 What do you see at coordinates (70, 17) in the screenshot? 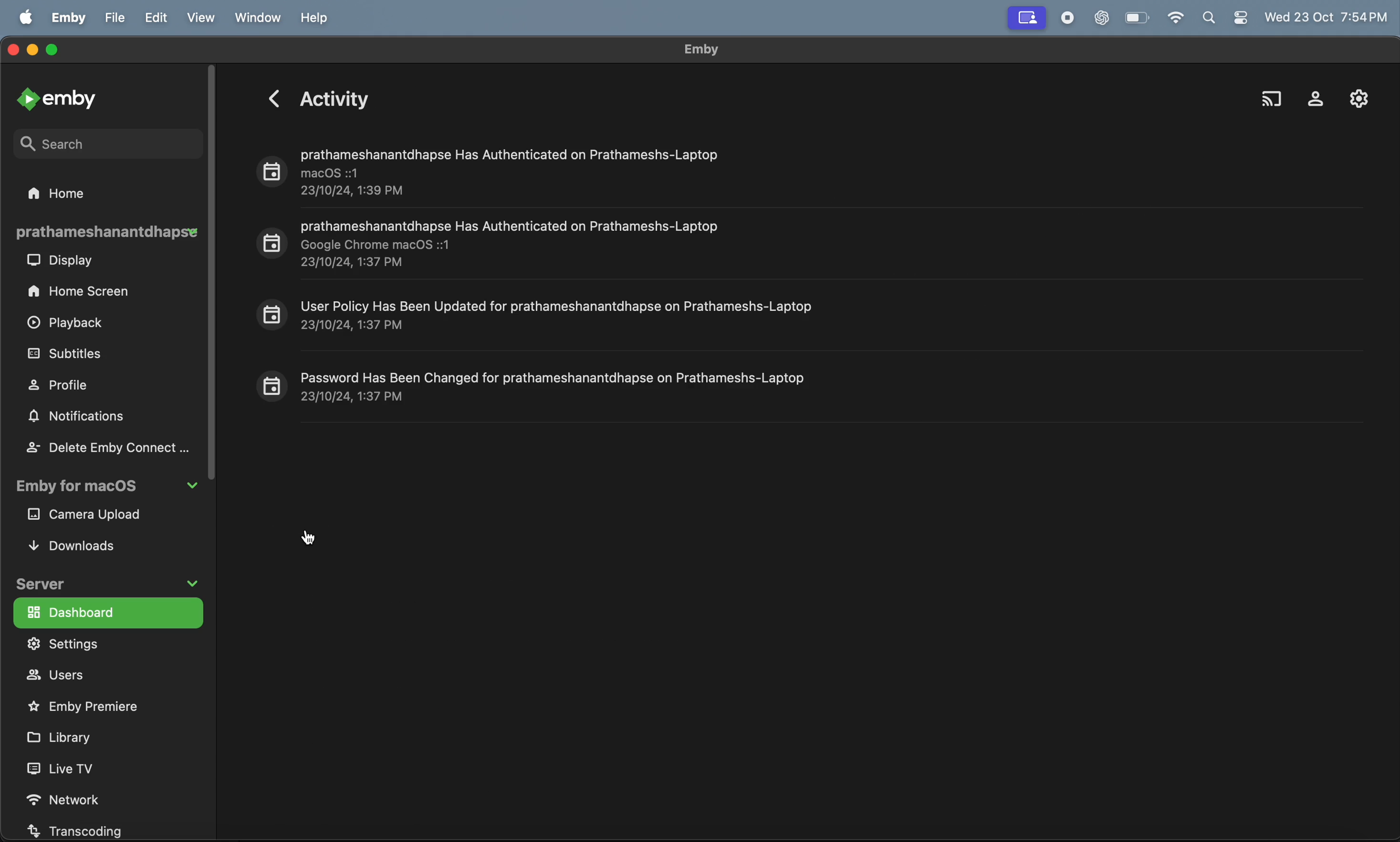
I see `emby` at bounding box center [70, 17].